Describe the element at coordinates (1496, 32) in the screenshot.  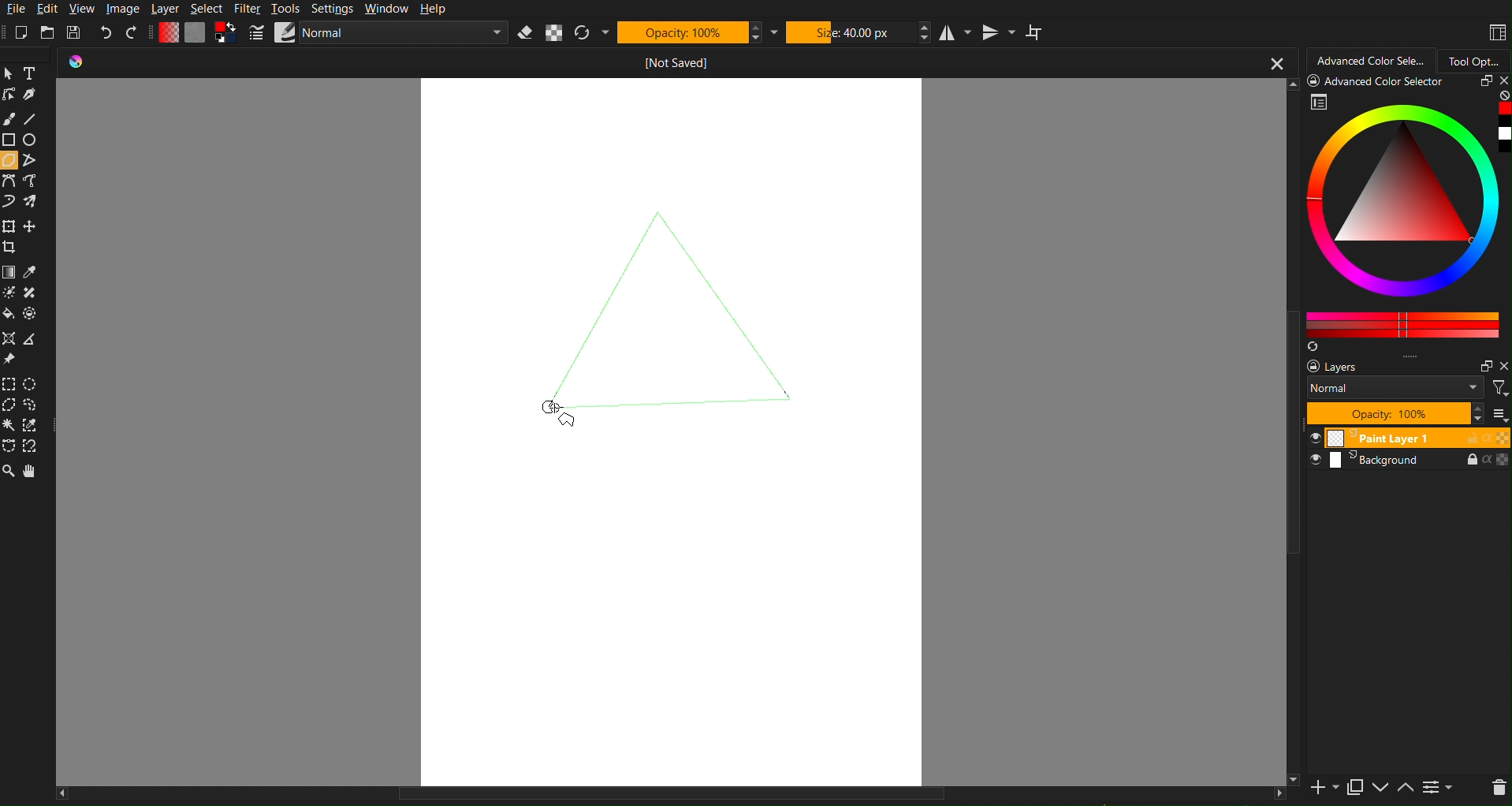
I see `Workspaces` at that location.